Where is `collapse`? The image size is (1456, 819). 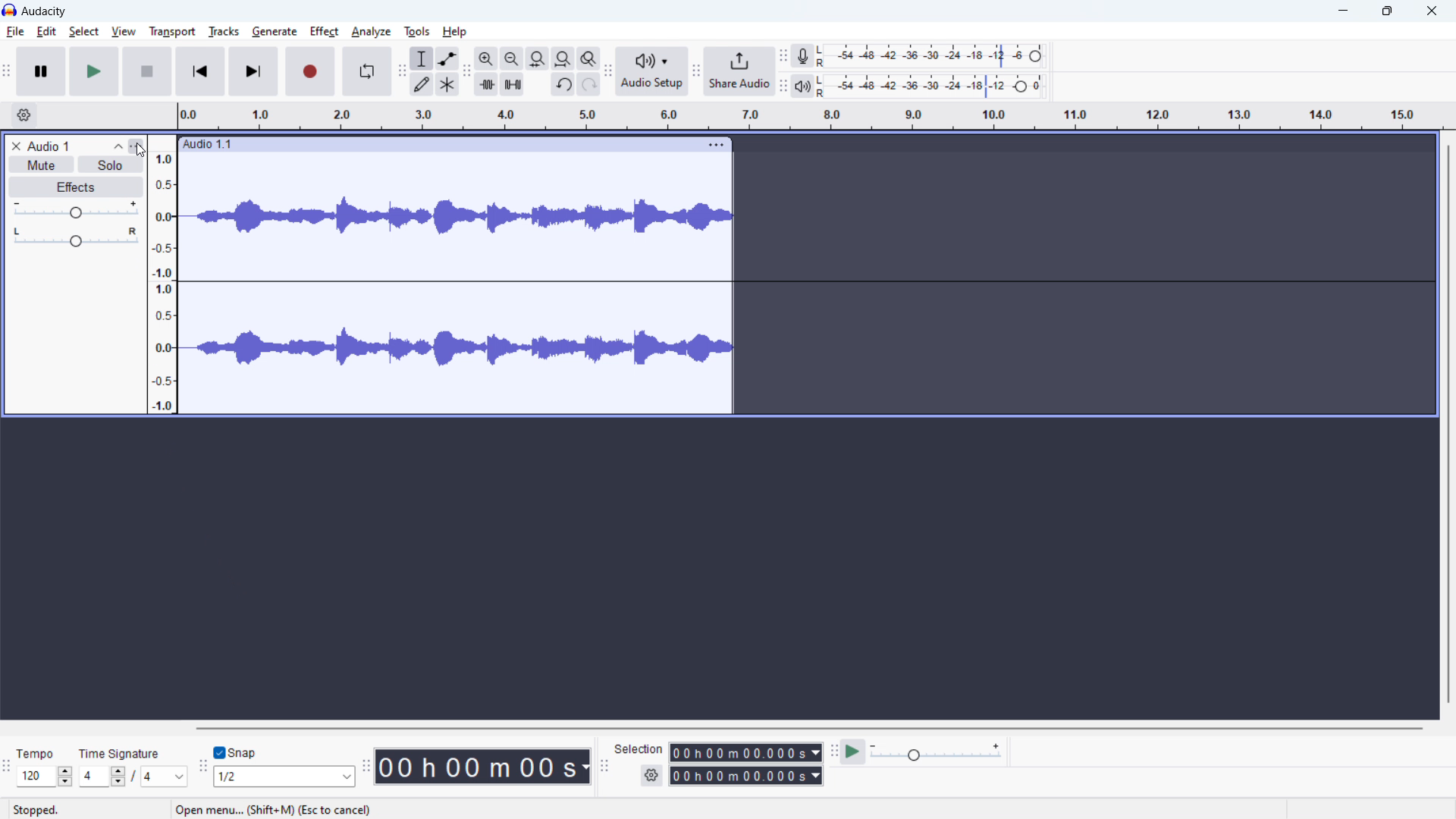
collapse is located at coordinates (118, 146).